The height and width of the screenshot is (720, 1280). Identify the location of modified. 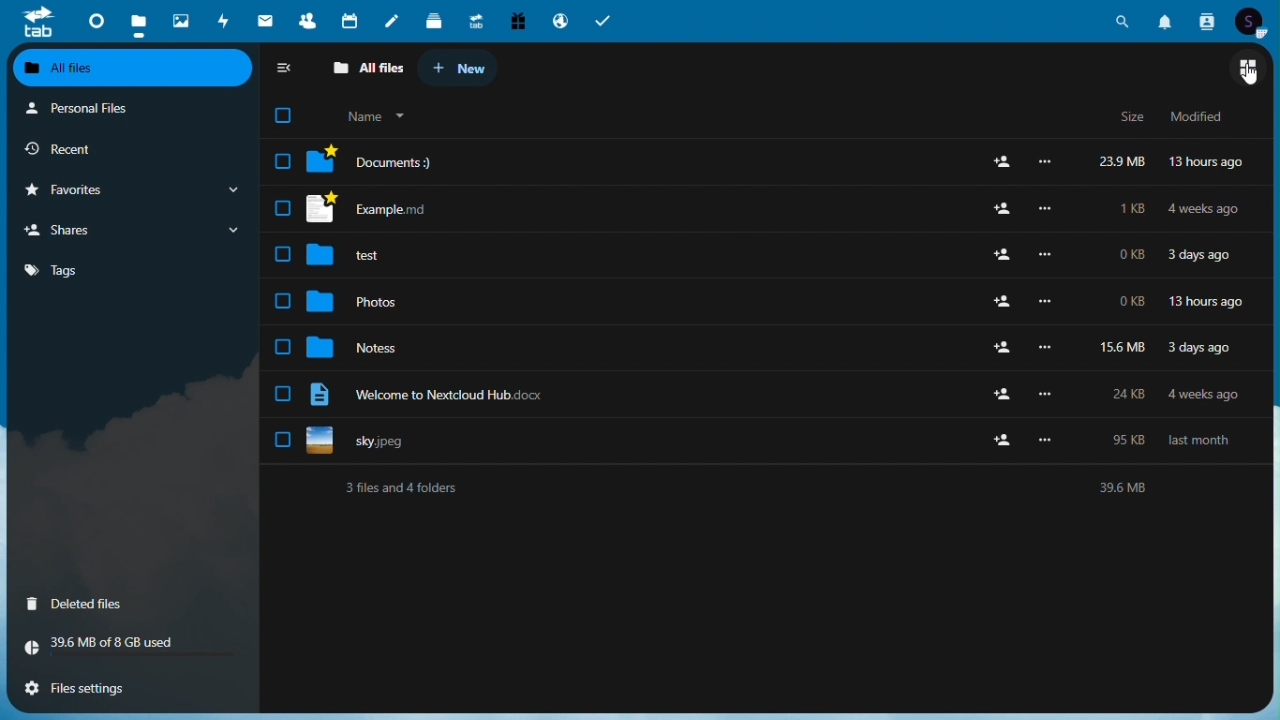
(1201, 116).